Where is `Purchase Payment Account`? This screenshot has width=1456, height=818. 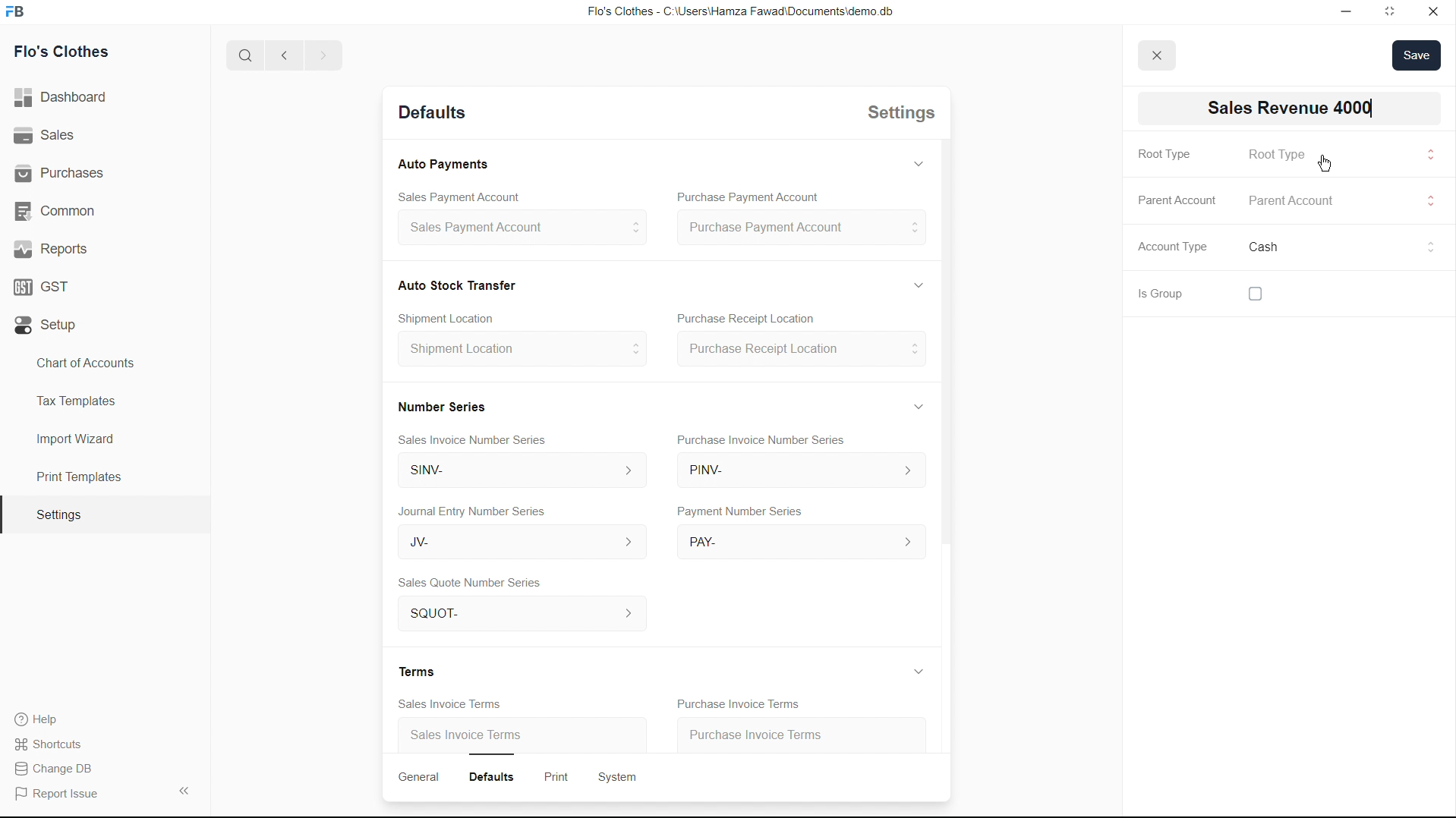
Purchase Payment Account is located at coordinates (800, 228).